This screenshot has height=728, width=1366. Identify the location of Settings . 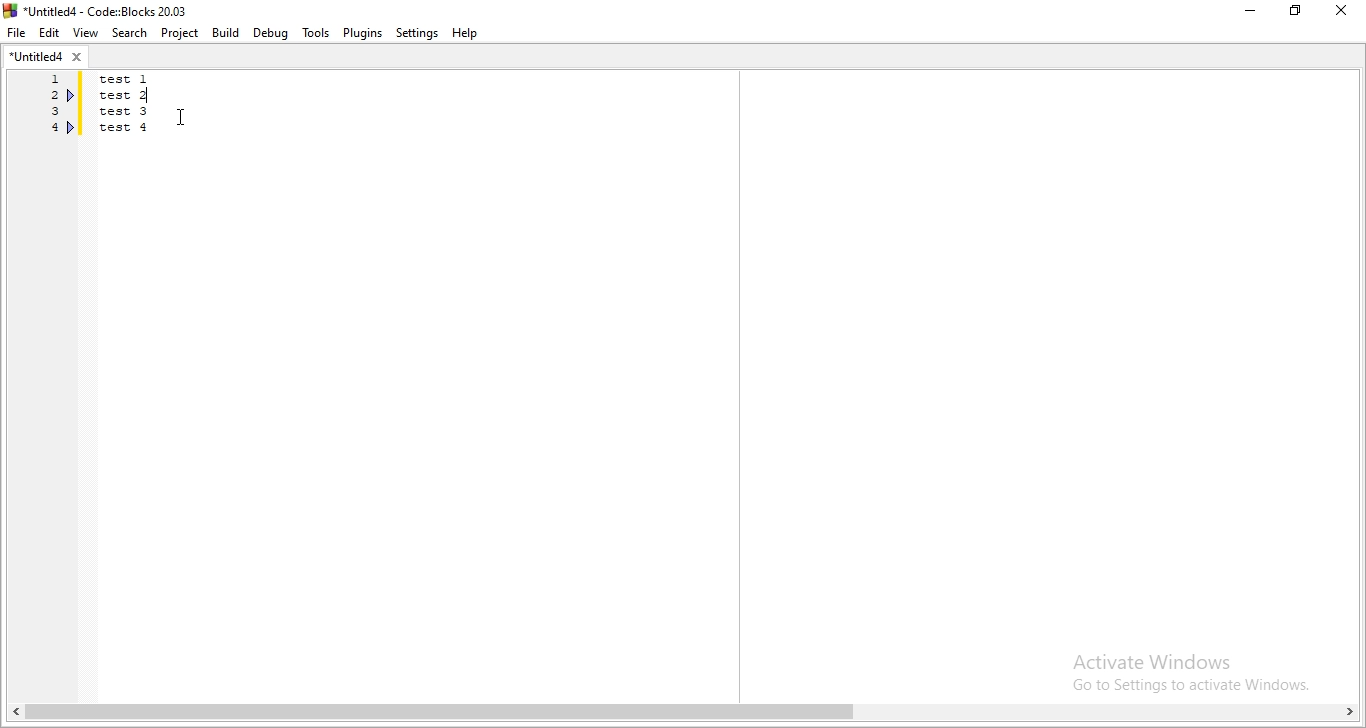
(415, 34).